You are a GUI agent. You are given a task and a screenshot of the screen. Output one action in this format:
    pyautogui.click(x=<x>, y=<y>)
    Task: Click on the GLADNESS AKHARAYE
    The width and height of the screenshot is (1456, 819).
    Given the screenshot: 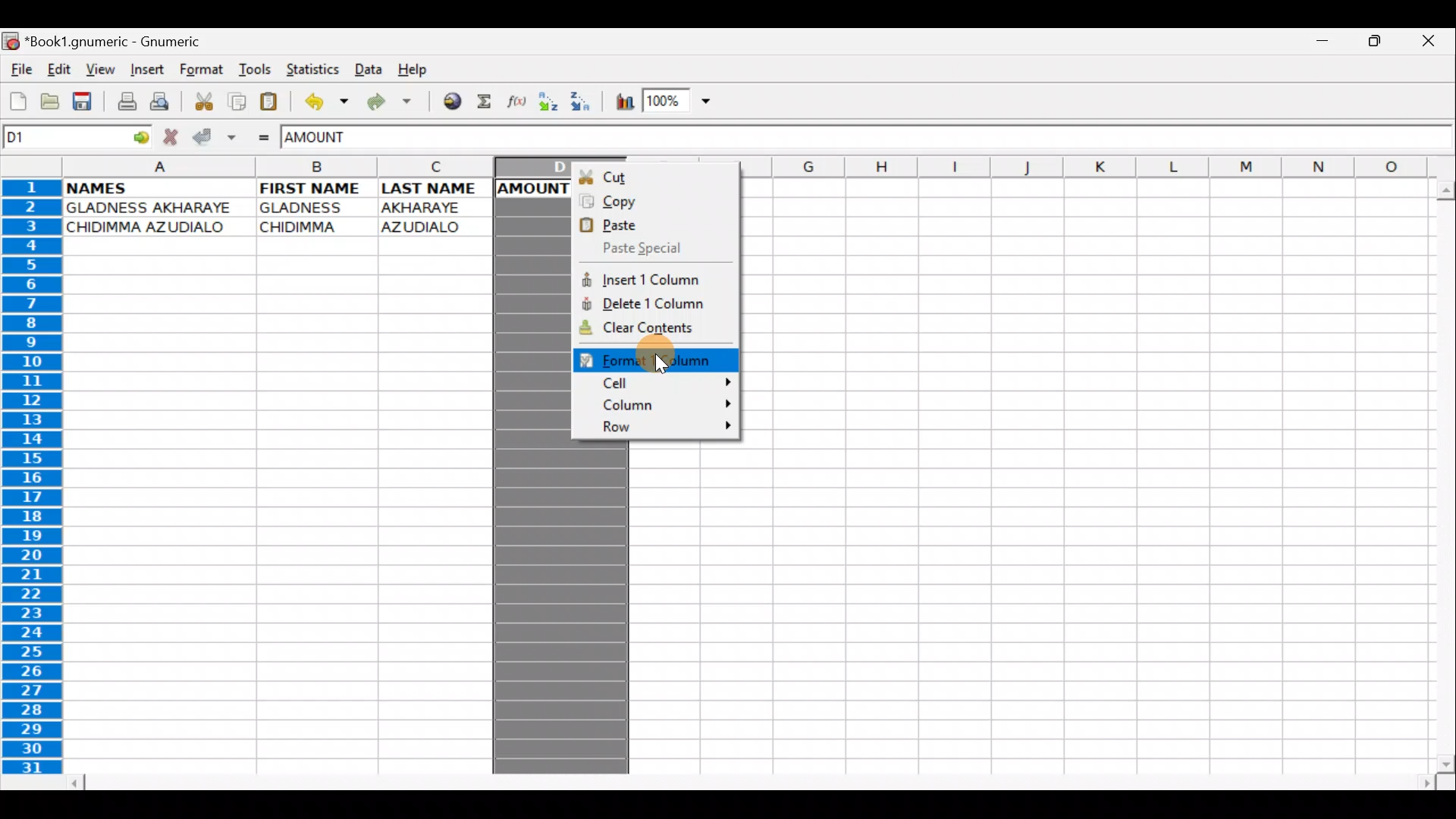 What is the action you would take?
    pyautogui.click(x=155, y=207)
    